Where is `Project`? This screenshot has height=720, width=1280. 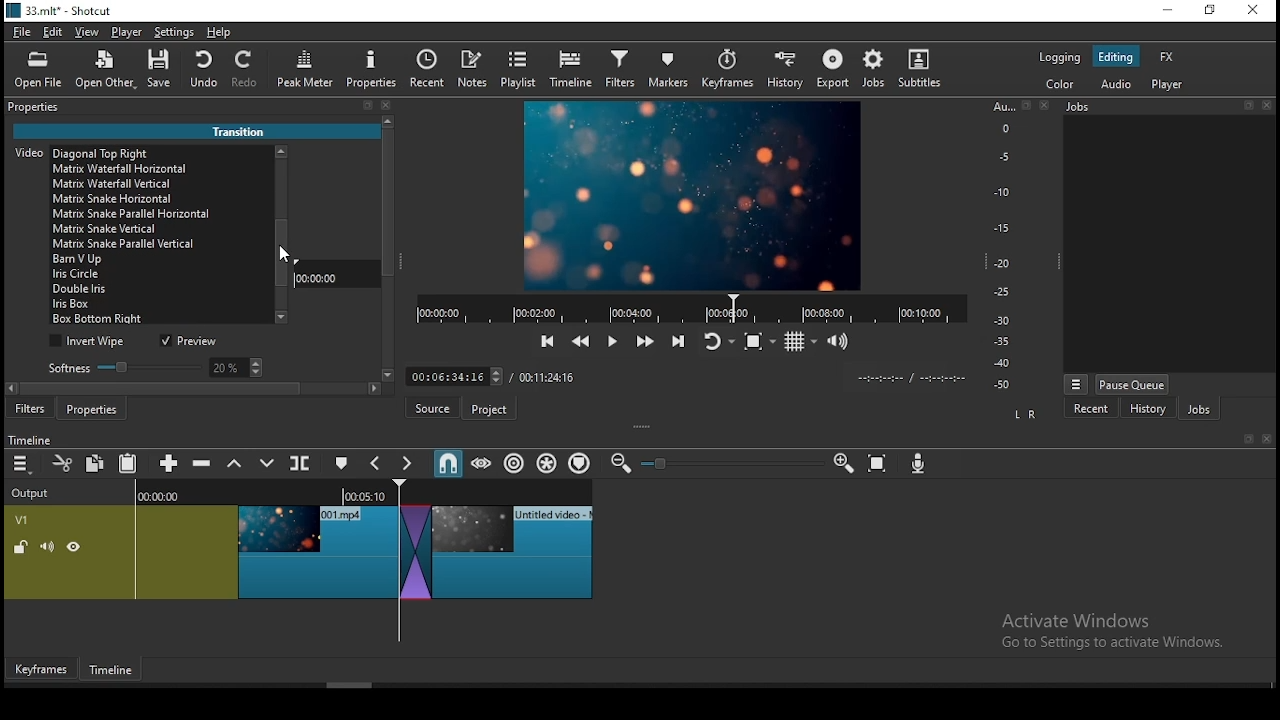
Project is located at coordinates (492, 409).